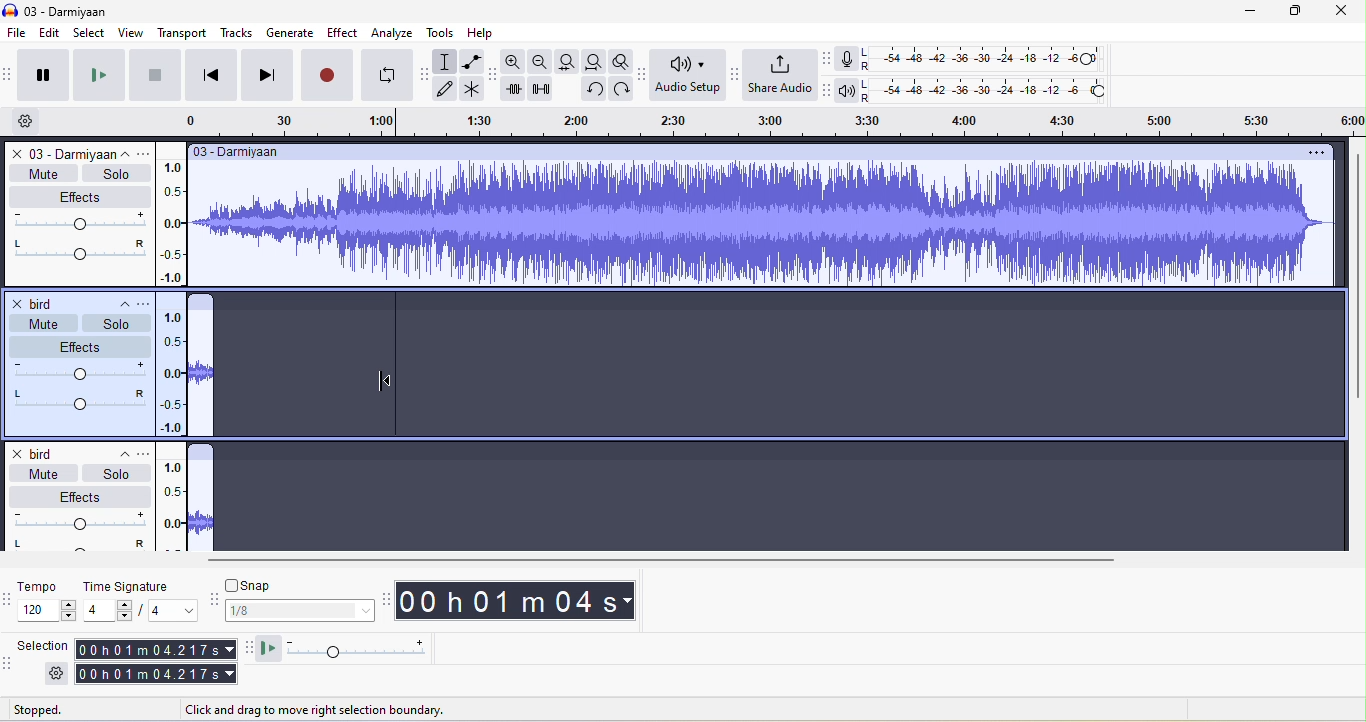 The image size is (1366, 722). I want to click on open menu, so click(147, 300).